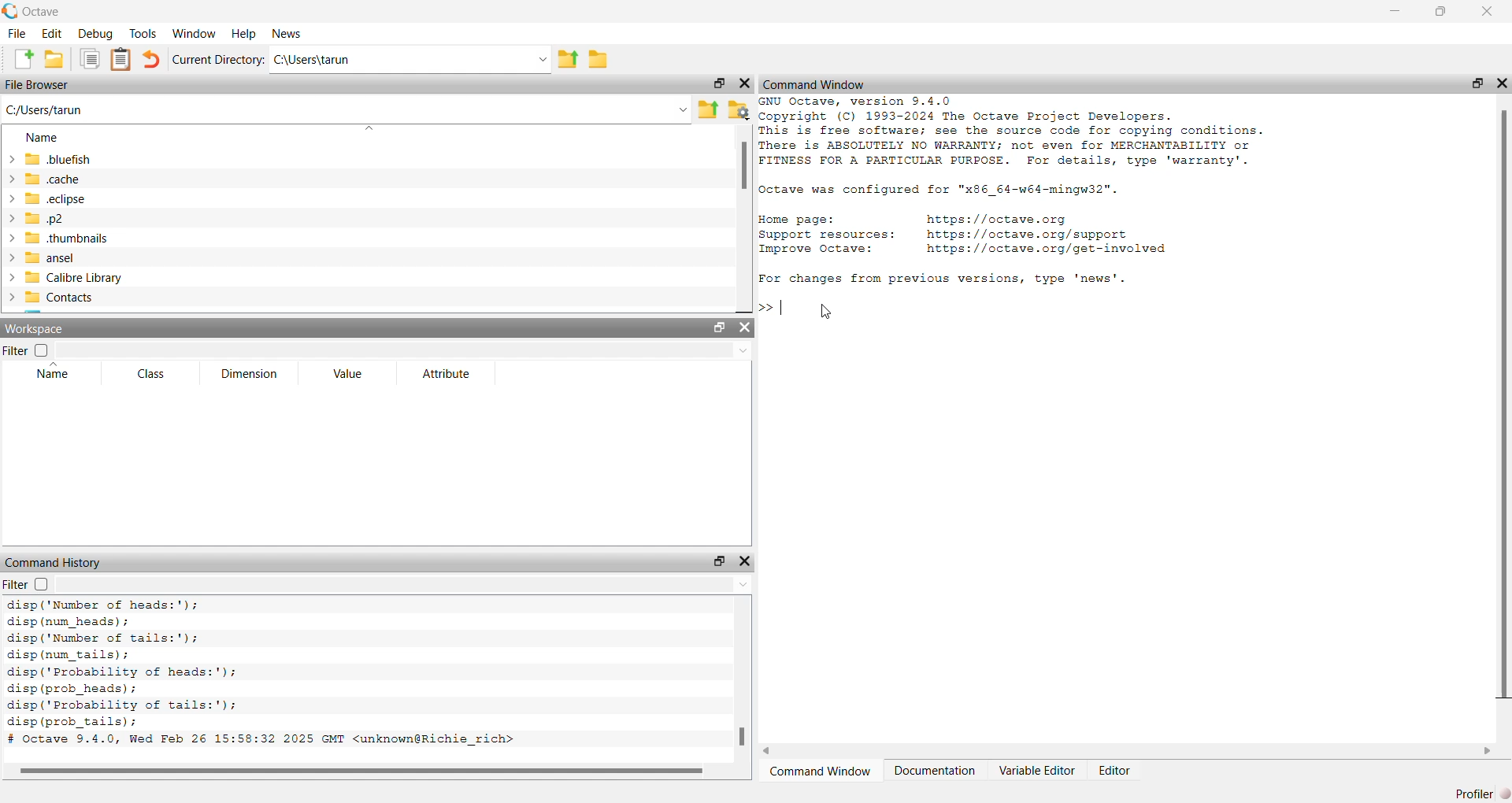 This screenshot has height=803, width=1512. Describe the element at coordinates (403, 350) in the screenshot. I see `Enter text to filter the workspace` at that location.